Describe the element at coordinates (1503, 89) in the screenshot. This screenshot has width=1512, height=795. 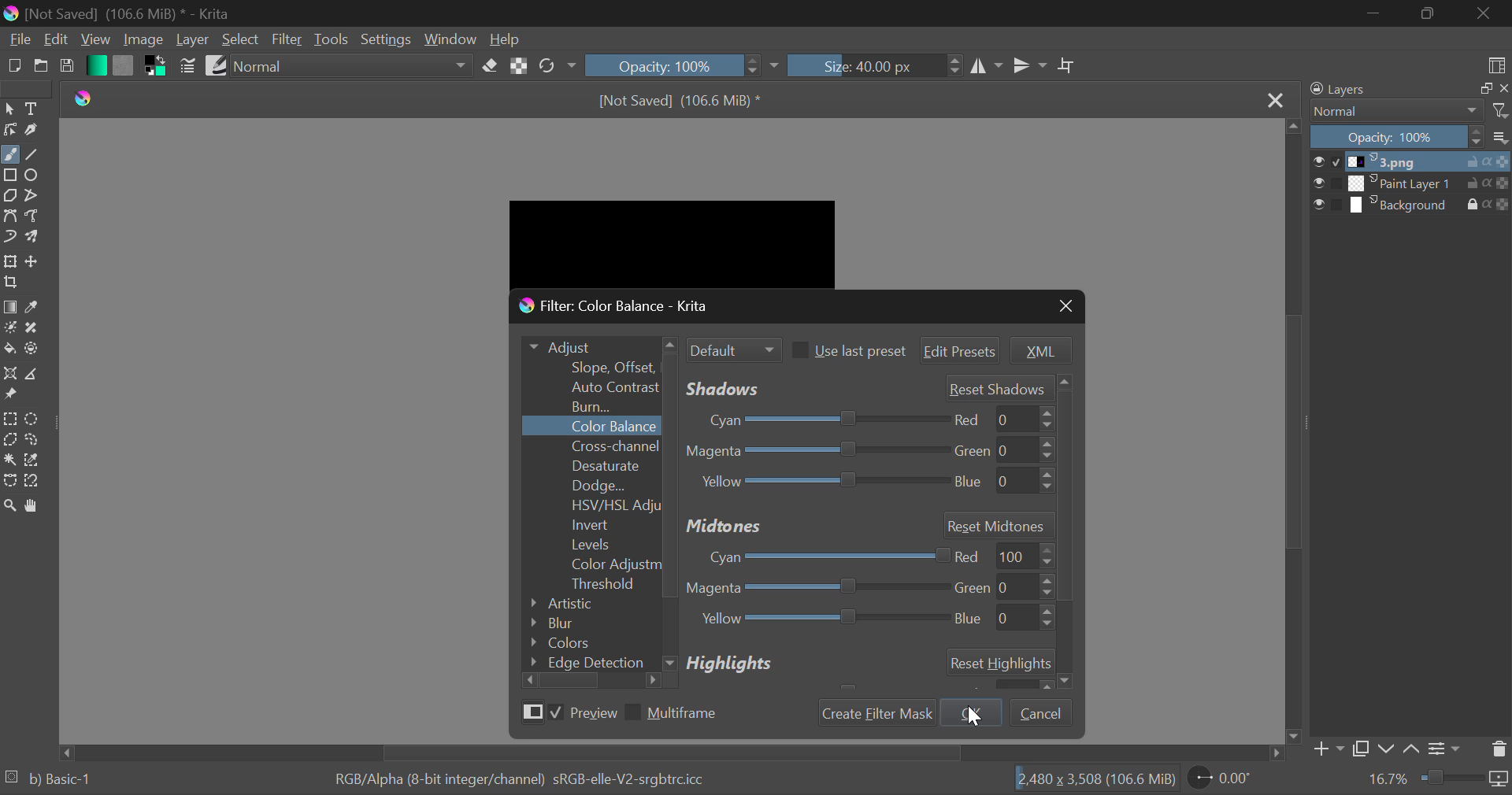
I see `close` at that location.